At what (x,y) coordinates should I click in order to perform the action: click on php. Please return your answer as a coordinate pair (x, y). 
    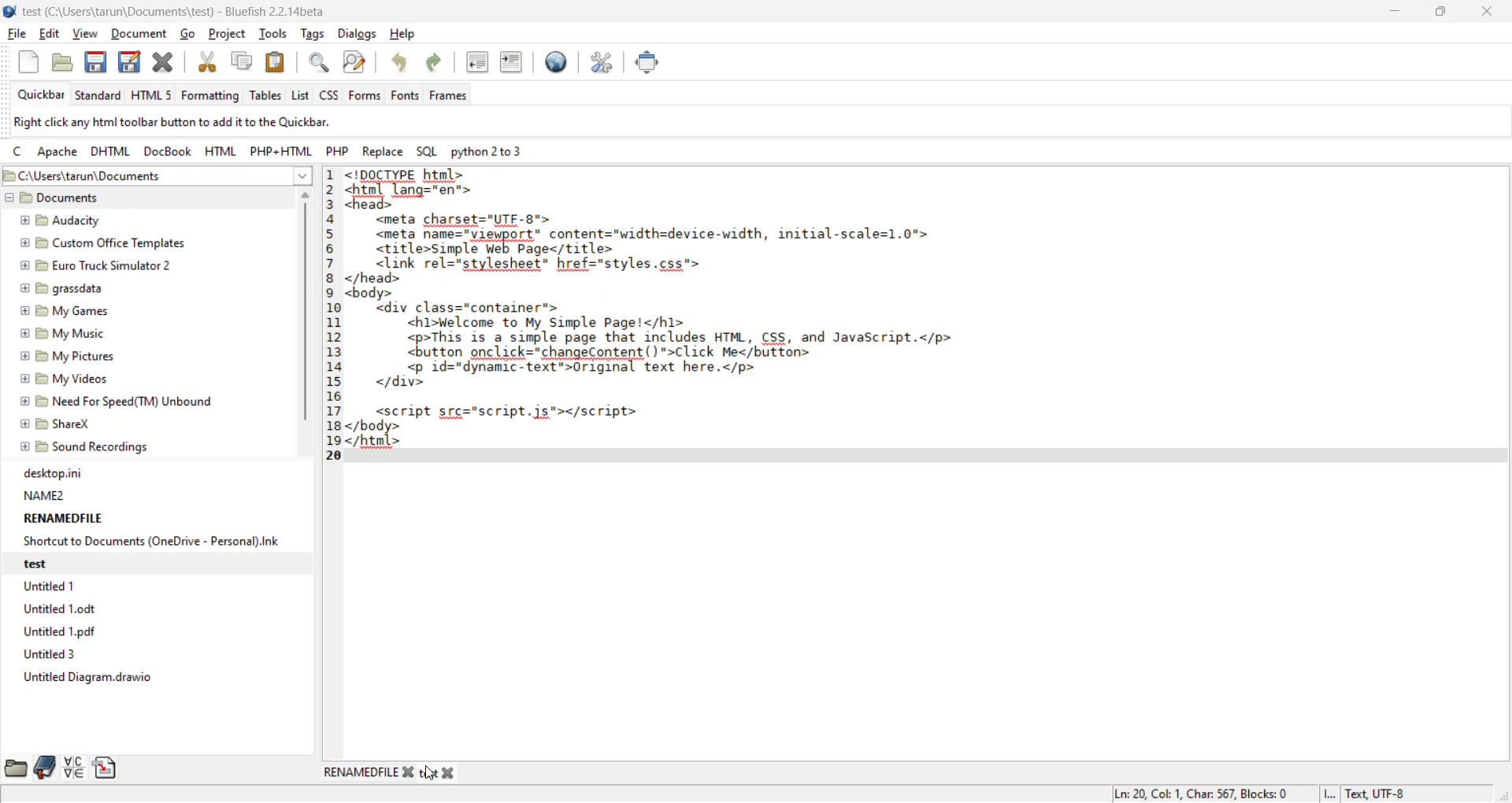
    Looking at the image, I should click on (341, 154).